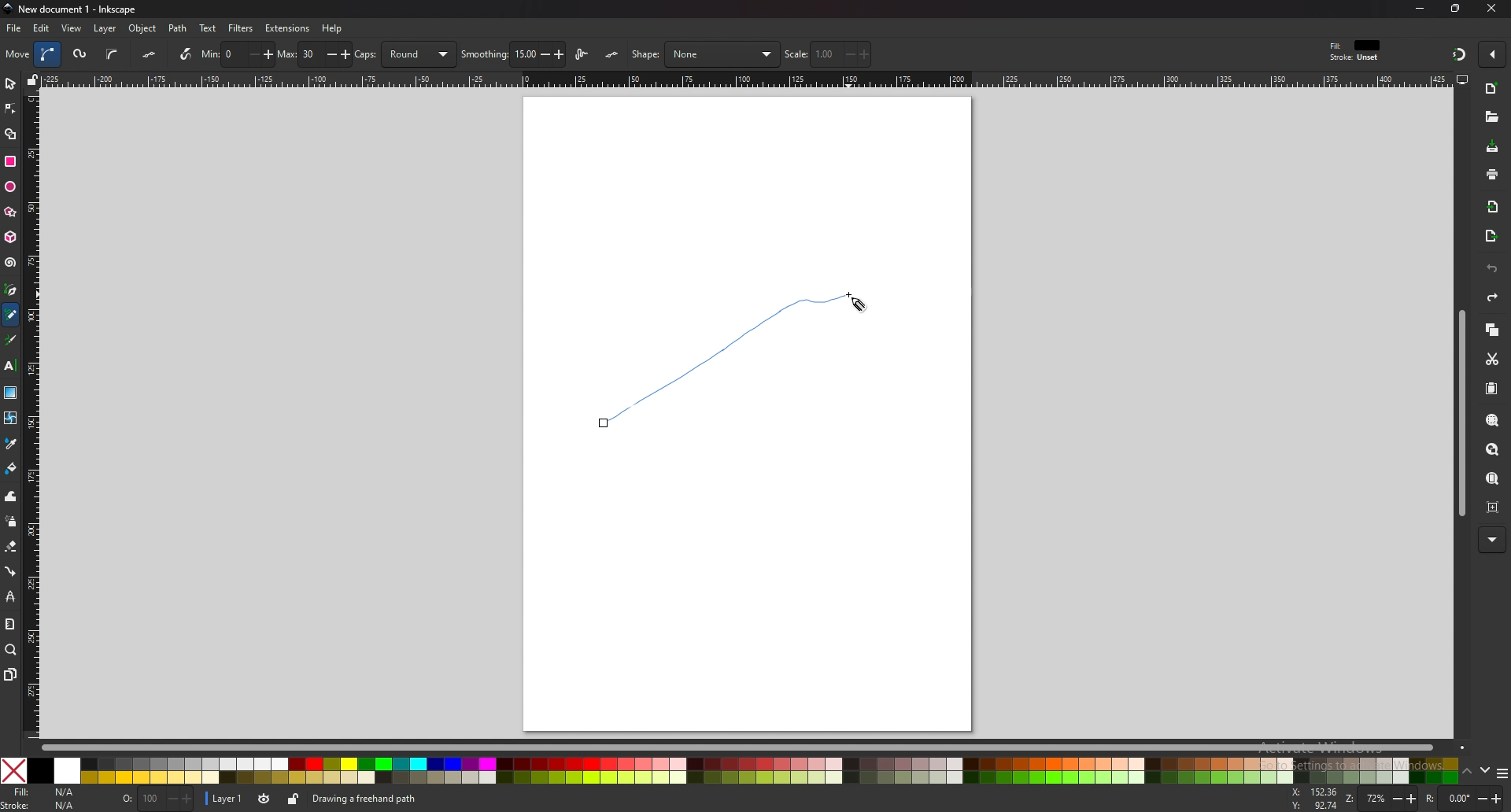 Image resolution: width=1511 pixels, height=812 pixels. I want to click on undo, so click(1492, 270).